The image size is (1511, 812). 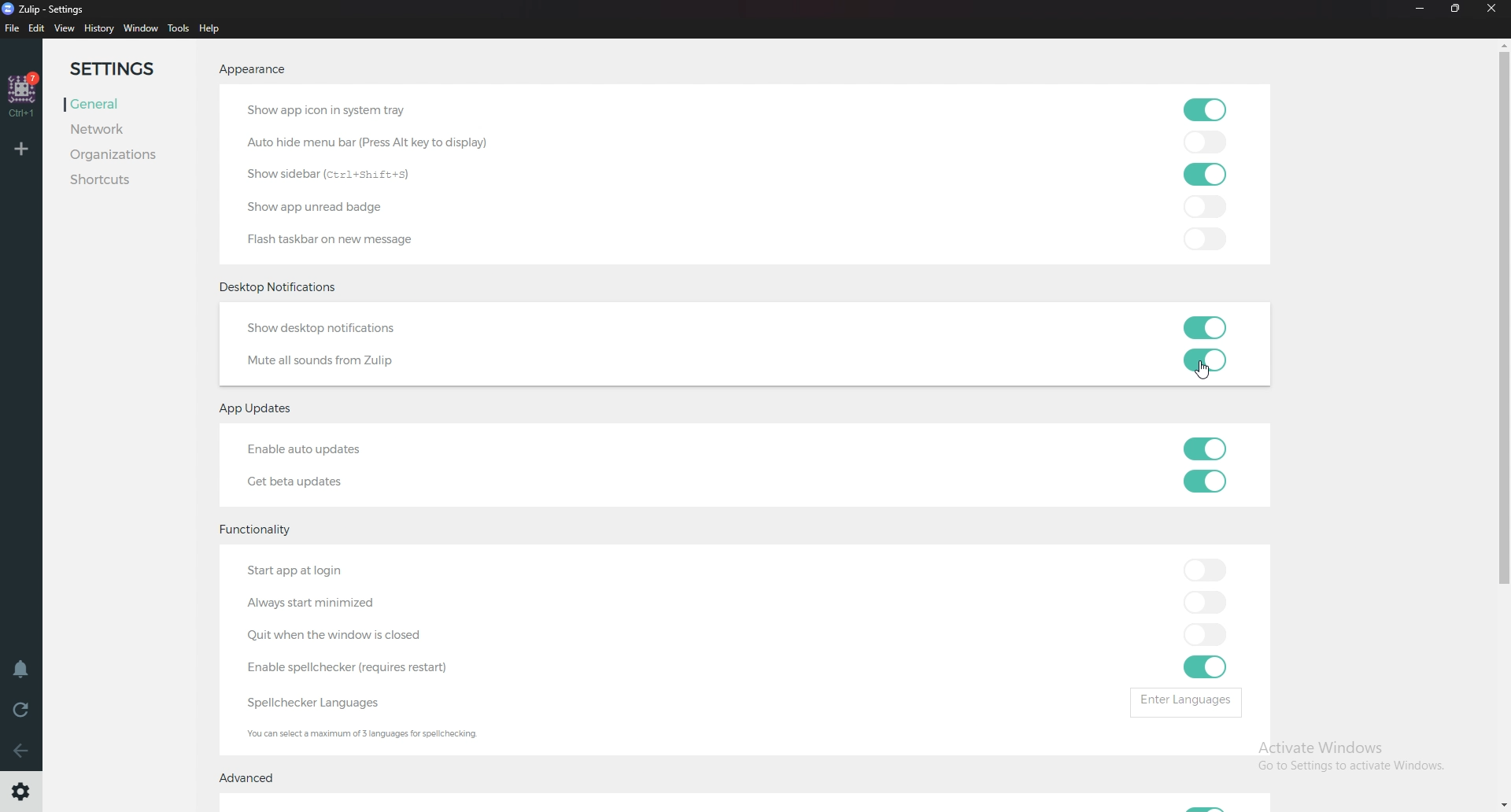 What do you see at coordinates (330, 205) in the screenshot?
I see `Show app unread badge` at bounding box center [330, 205].